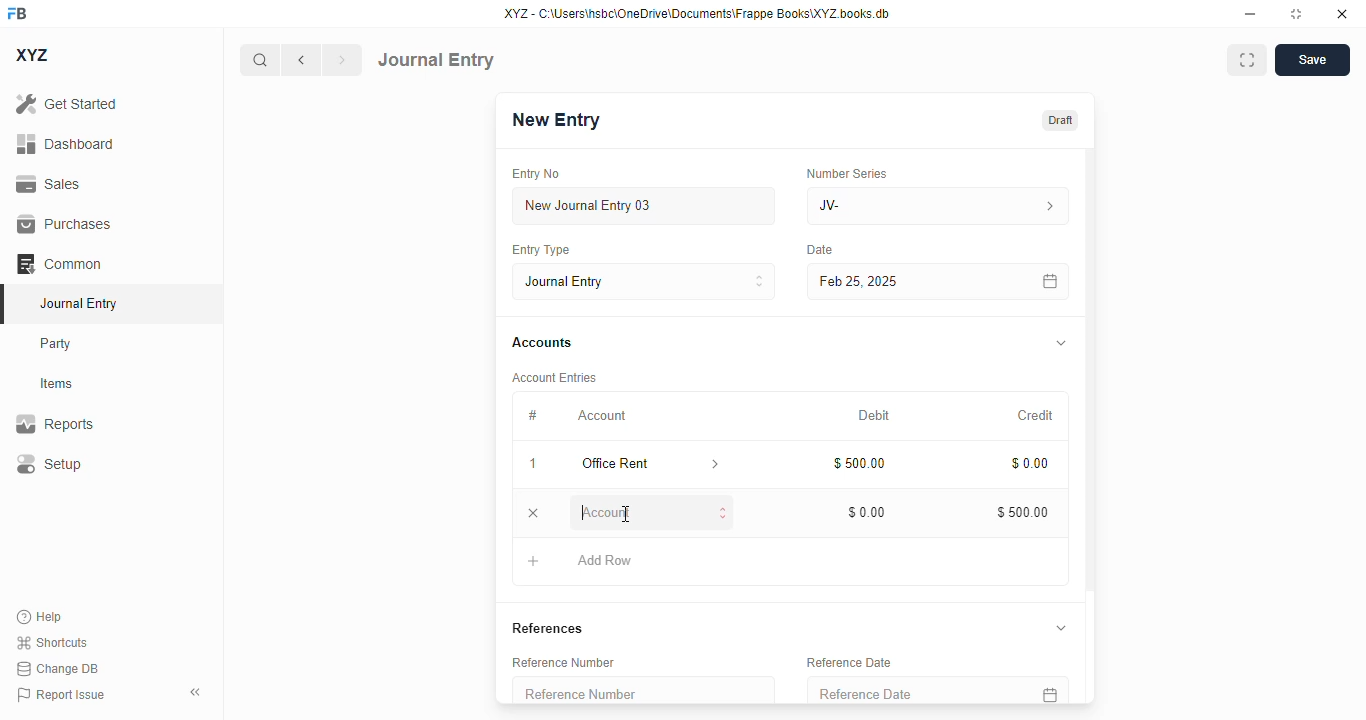 Image resolution: width=1366 pixels, height=720 pixels. Describe the element at coordinates (602, 416) in the screenshot. I see `account` at that location.